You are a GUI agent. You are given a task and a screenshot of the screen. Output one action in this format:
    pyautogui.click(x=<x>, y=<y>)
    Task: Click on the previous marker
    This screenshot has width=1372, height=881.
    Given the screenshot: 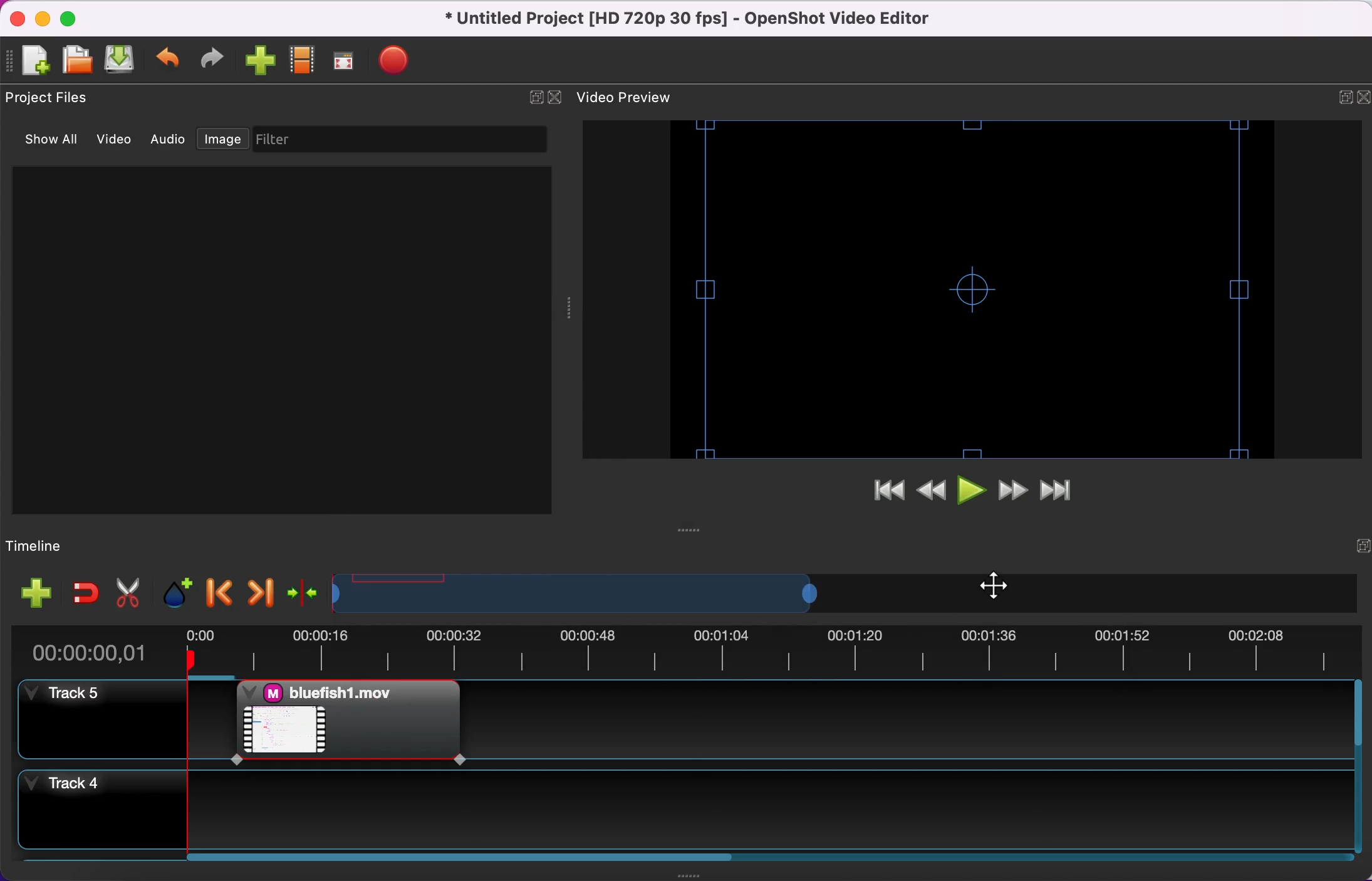 What is the action you would take?
    pyautogui.click(x=217, y=593)
    